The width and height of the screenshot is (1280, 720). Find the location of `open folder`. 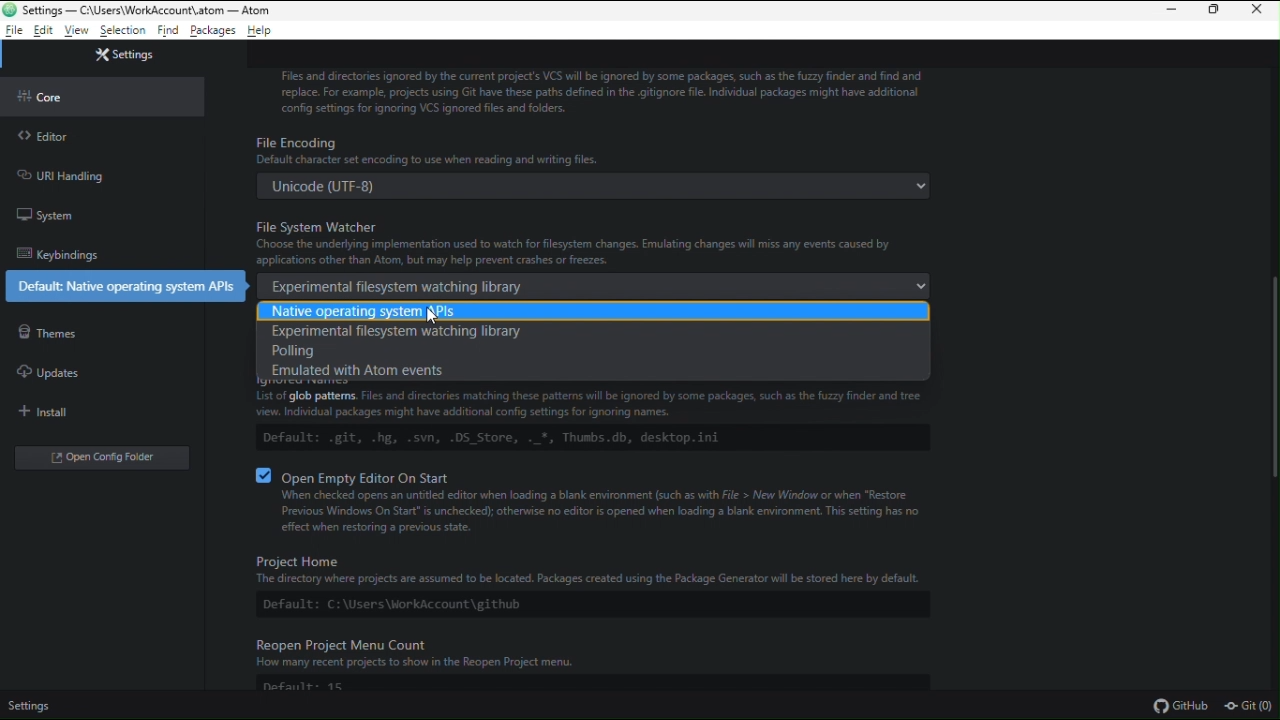

open folder is located at coordinates (105, 456).